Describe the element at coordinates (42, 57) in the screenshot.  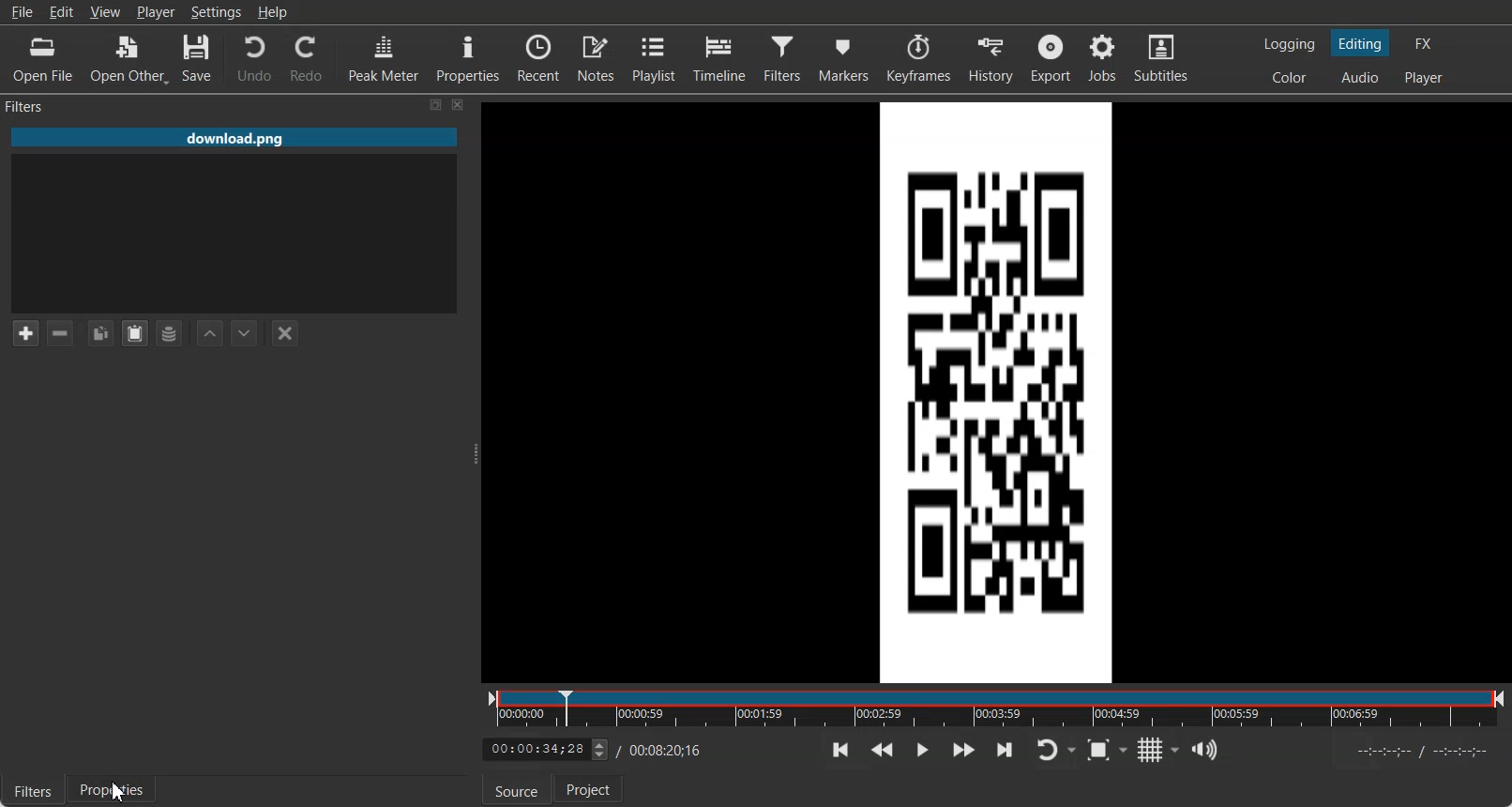
I see `Open File` at that location.